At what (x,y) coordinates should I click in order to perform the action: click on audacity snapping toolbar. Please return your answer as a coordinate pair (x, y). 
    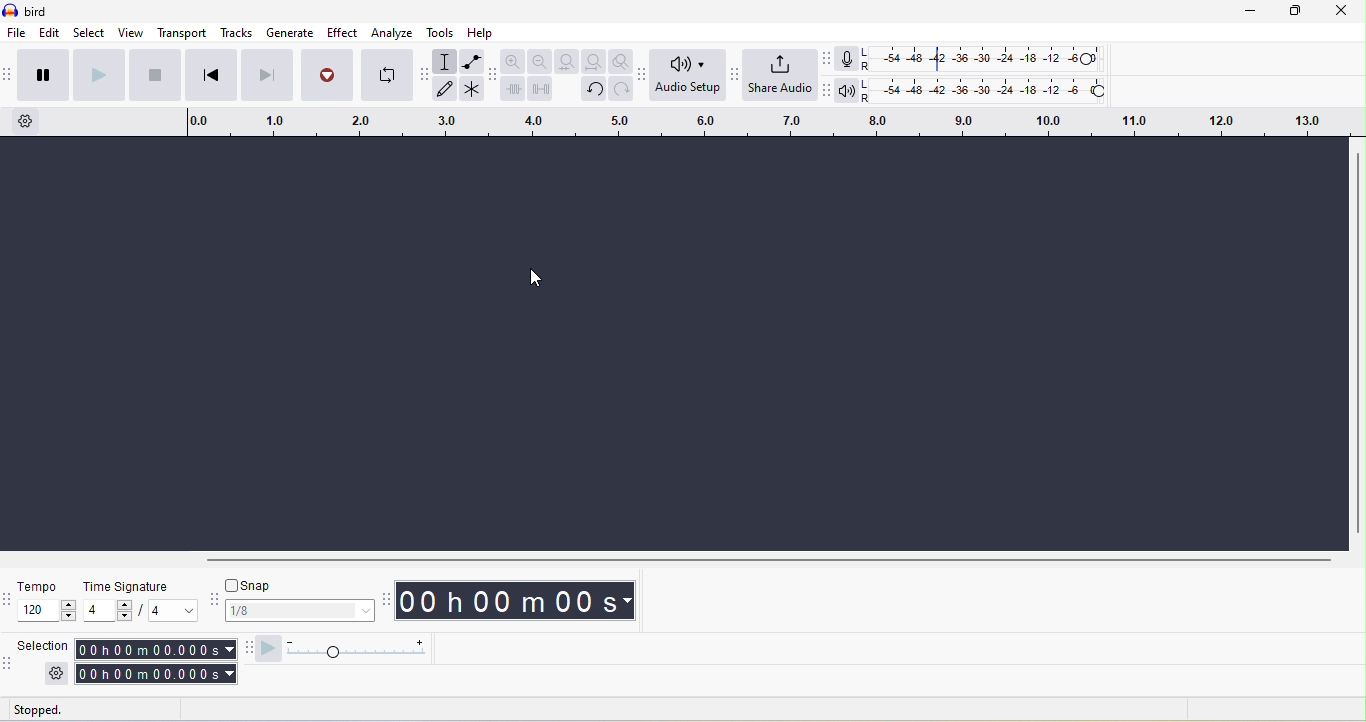
    Looking at the image, I should click on (216, 599).